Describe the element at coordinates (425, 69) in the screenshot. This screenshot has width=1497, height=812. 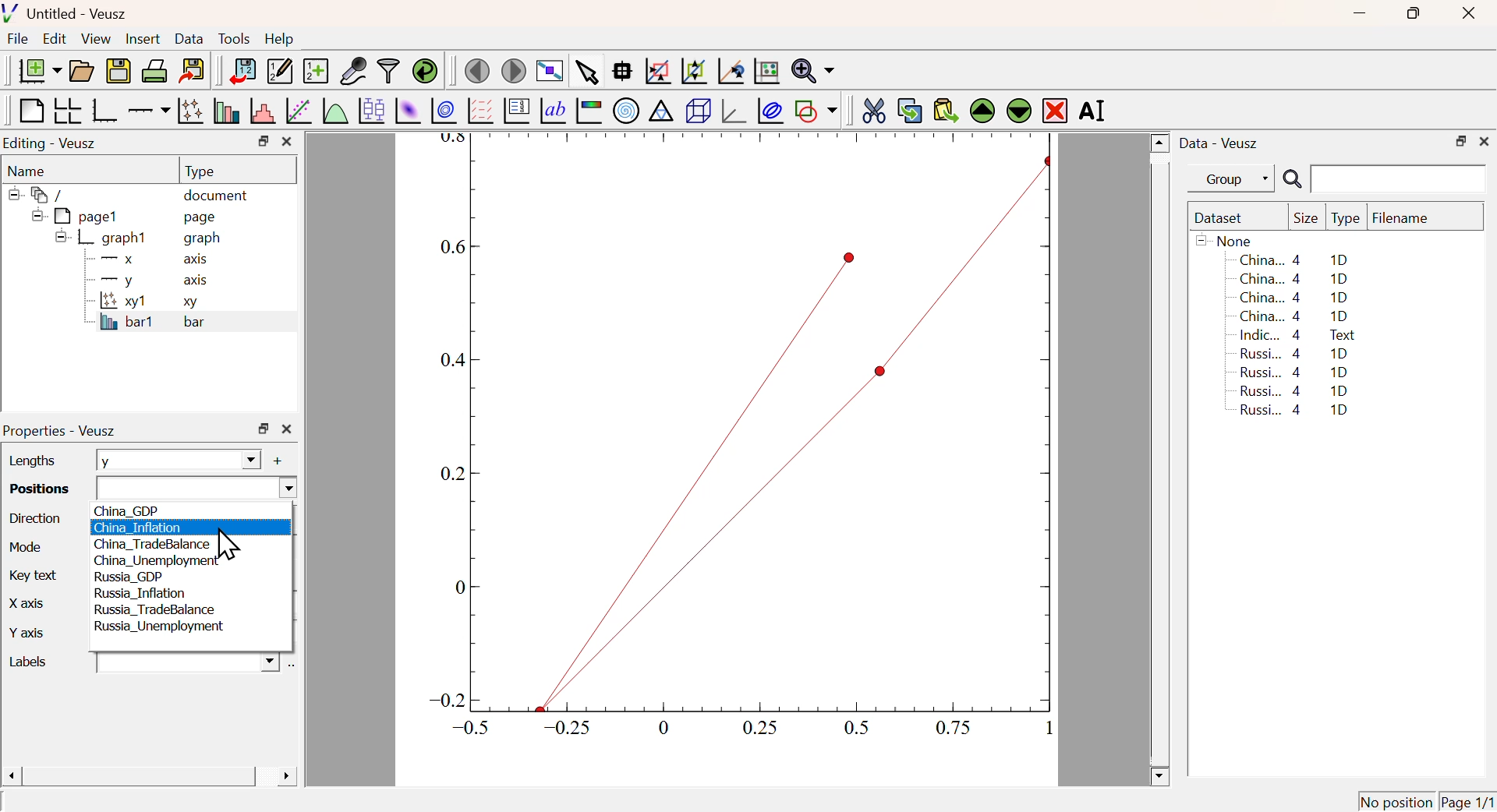
I see `Reload linked dataset` at that location.